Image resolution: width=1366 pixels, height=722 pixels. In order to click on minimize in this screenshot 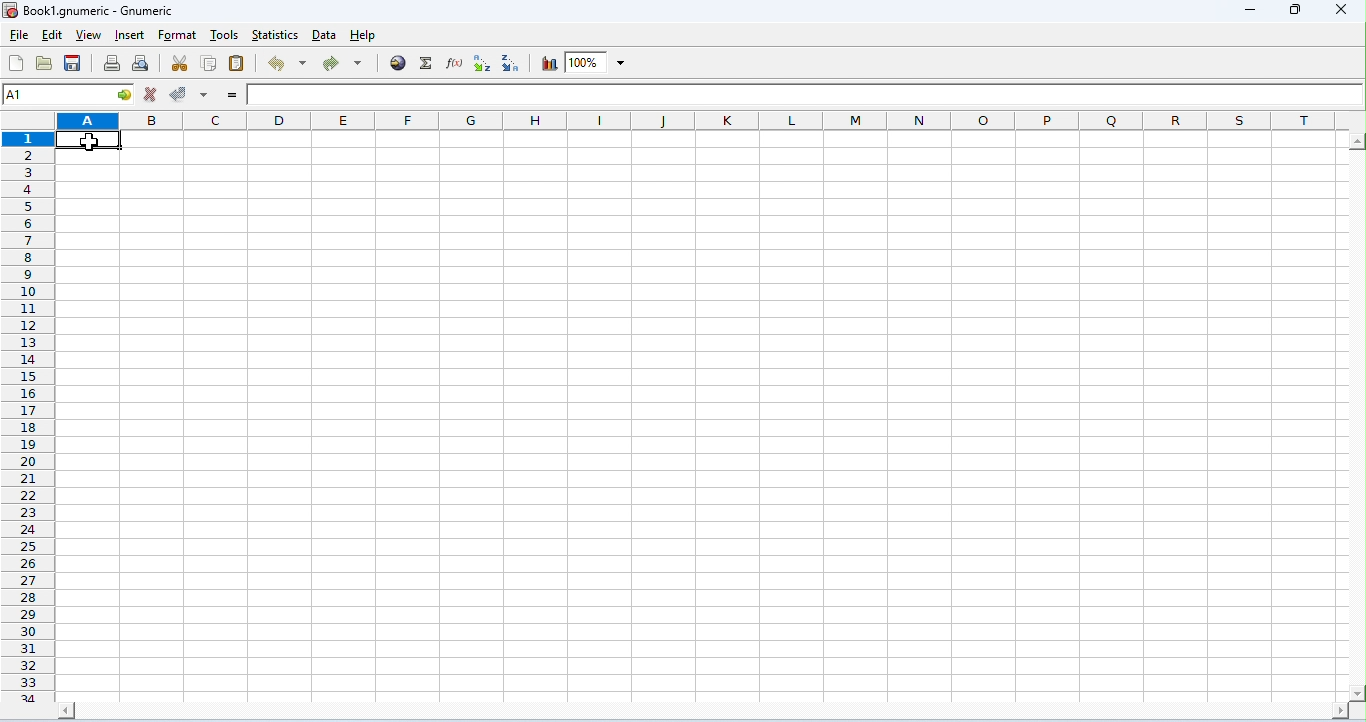, I will do `click(1252, 12)`.